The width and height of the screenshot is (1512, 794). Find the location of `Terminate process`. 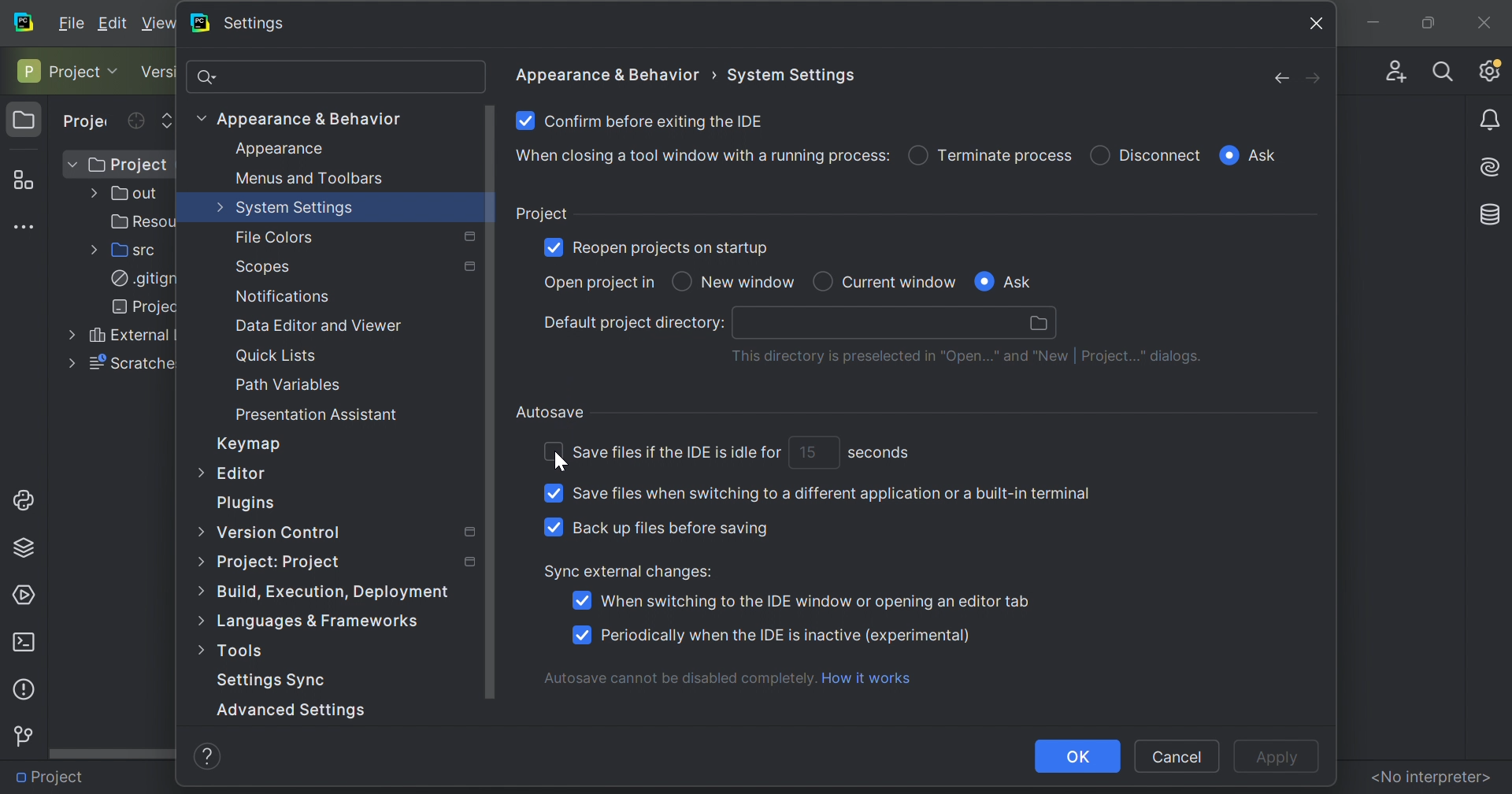

Terminate process is located at coordinates (1006, 154).